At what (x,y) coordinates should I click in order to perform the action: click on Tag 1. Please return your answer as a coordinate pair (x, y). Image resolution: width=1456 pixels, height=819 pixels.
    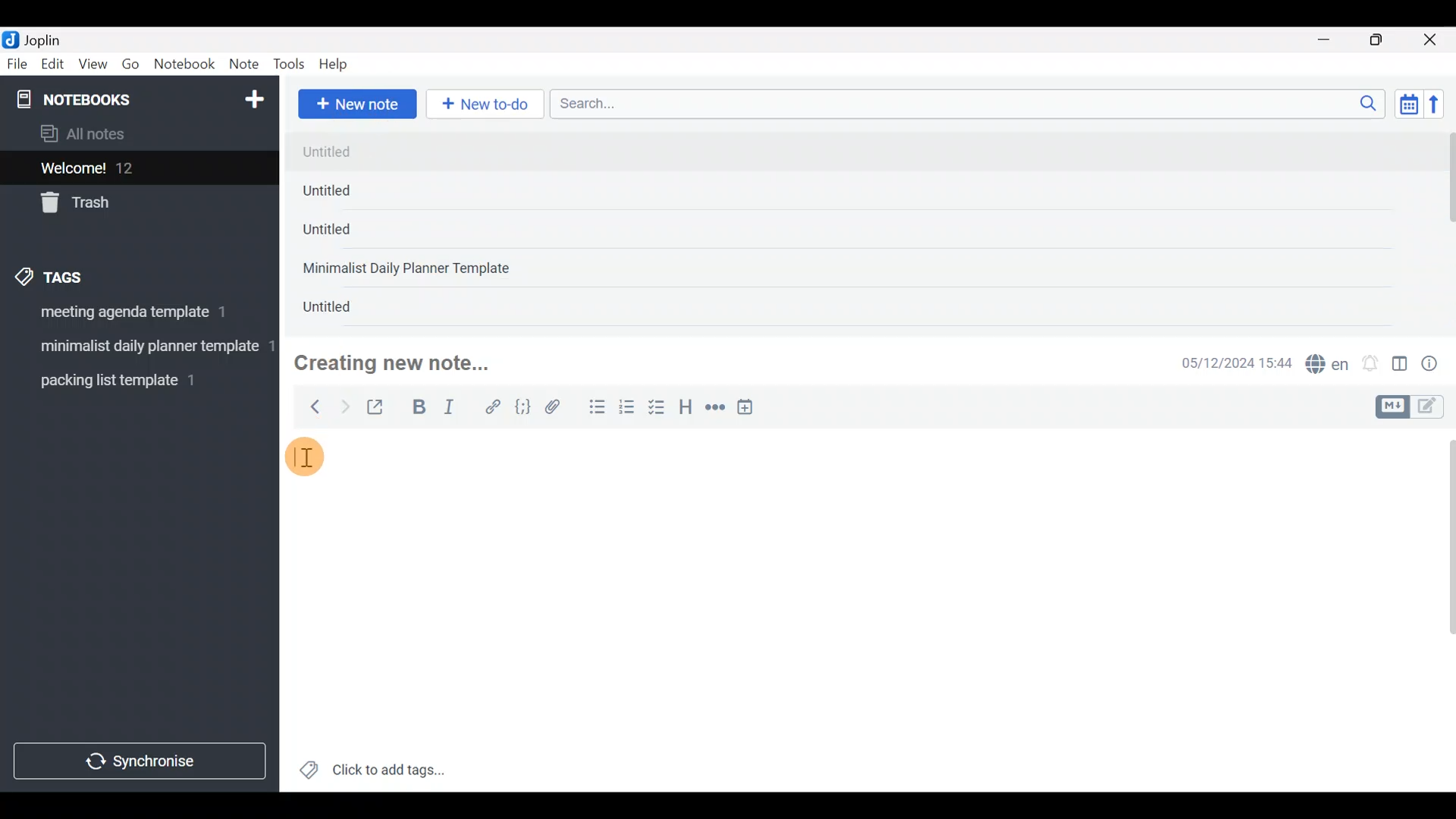
    Looking at the image, I should click on (135, 316).